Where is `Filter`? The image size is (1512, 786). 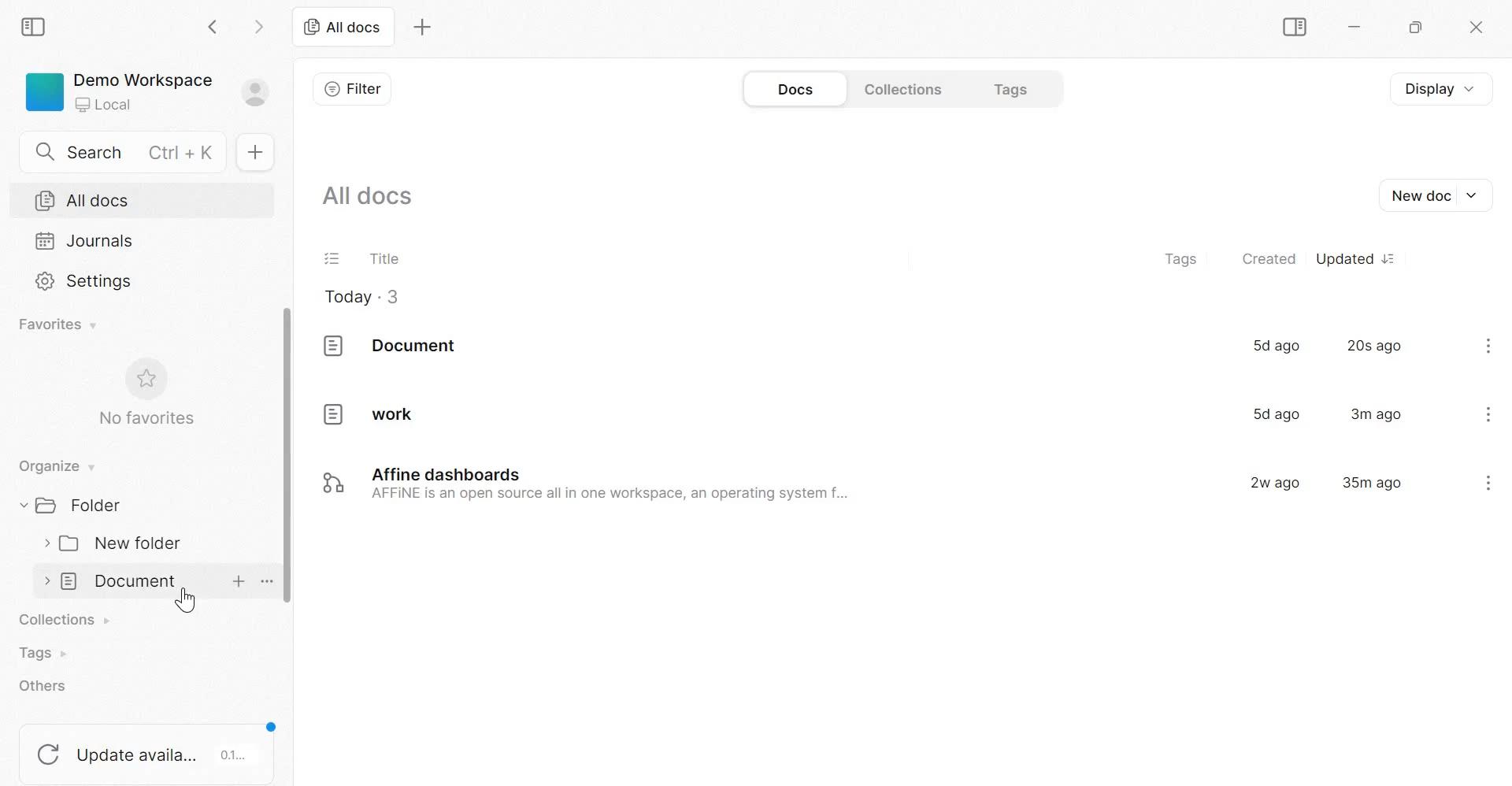
Filter is located at coordinates (354, 87).